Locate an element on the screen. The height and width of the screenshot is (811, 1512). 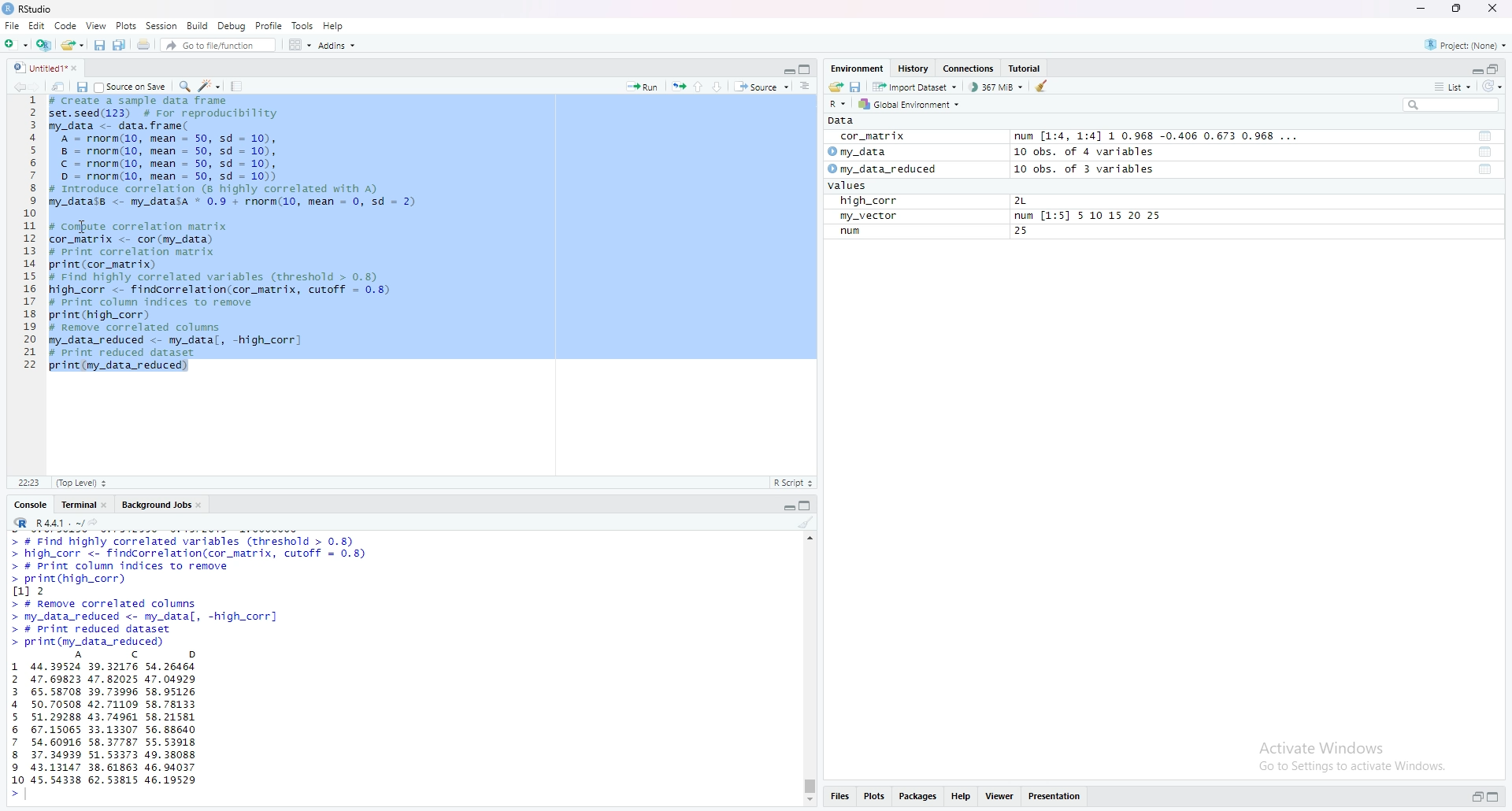
reload is located at coordinates (1492, 87).